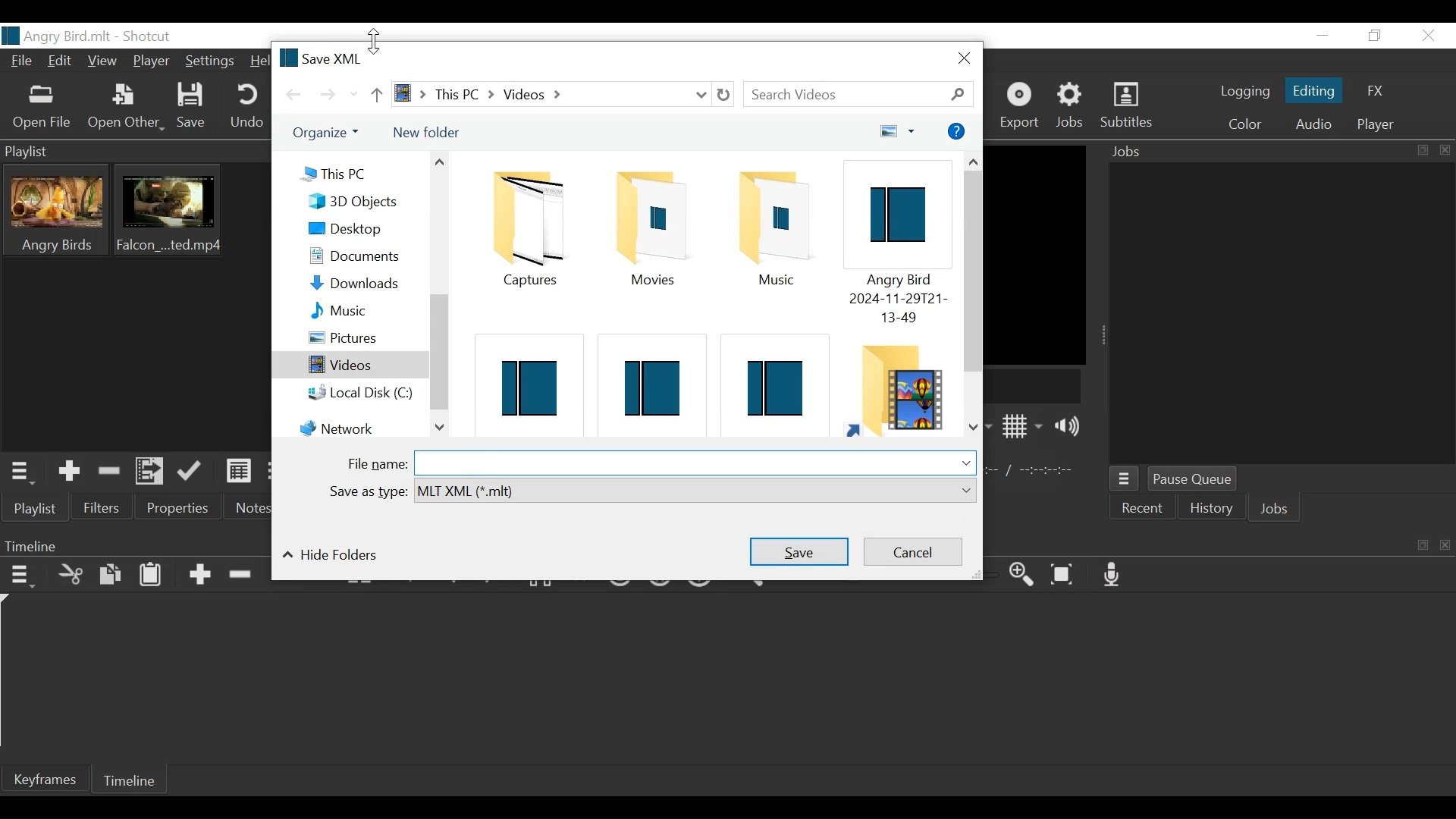 The height and width of the screenshot is (819, 1456). Describe the element at coordinates (548, 95) in the screenshot. I see `File Path` at that location.